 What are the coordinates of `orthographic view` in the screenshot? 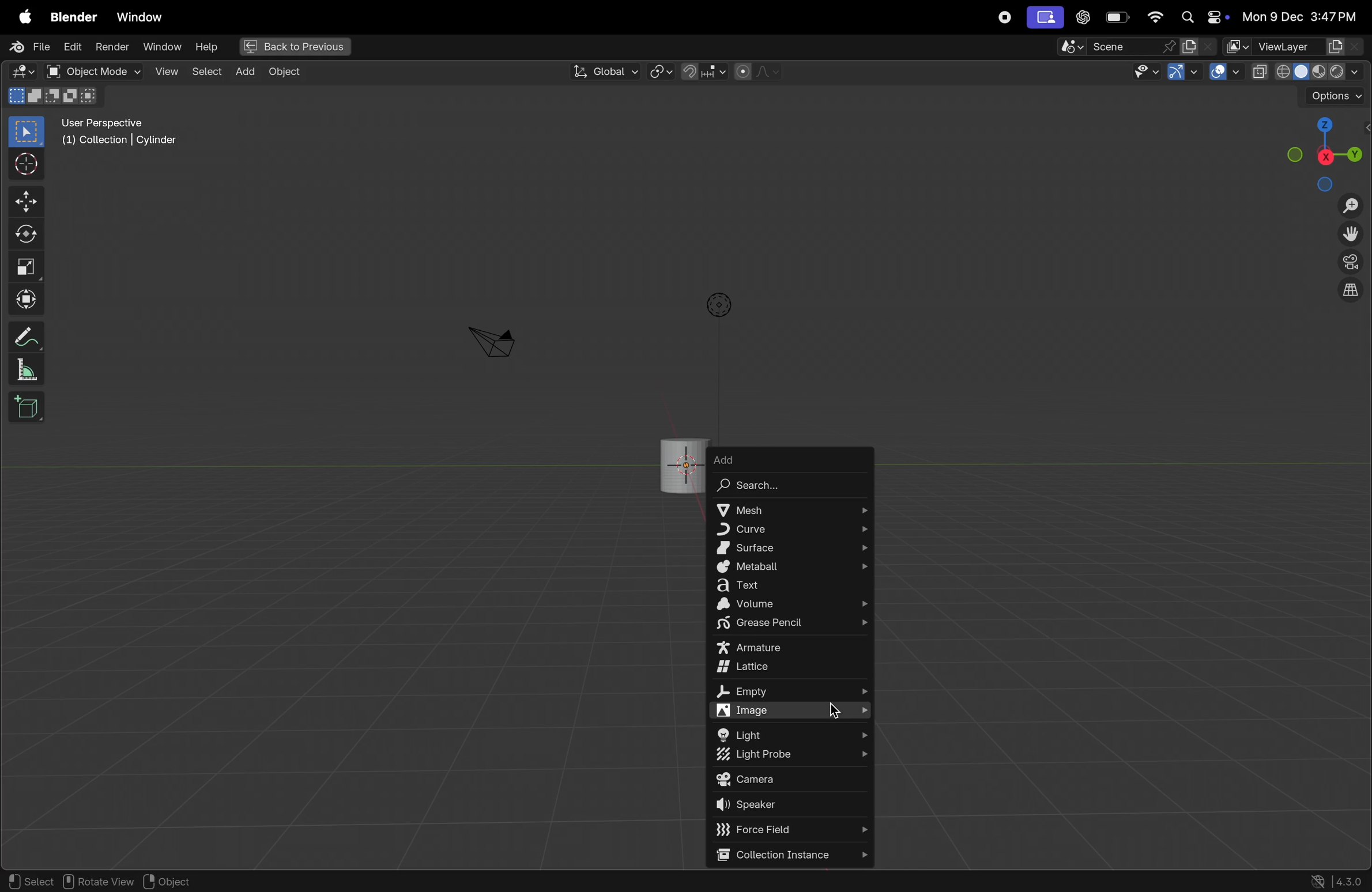 It's located at (1353, 293).